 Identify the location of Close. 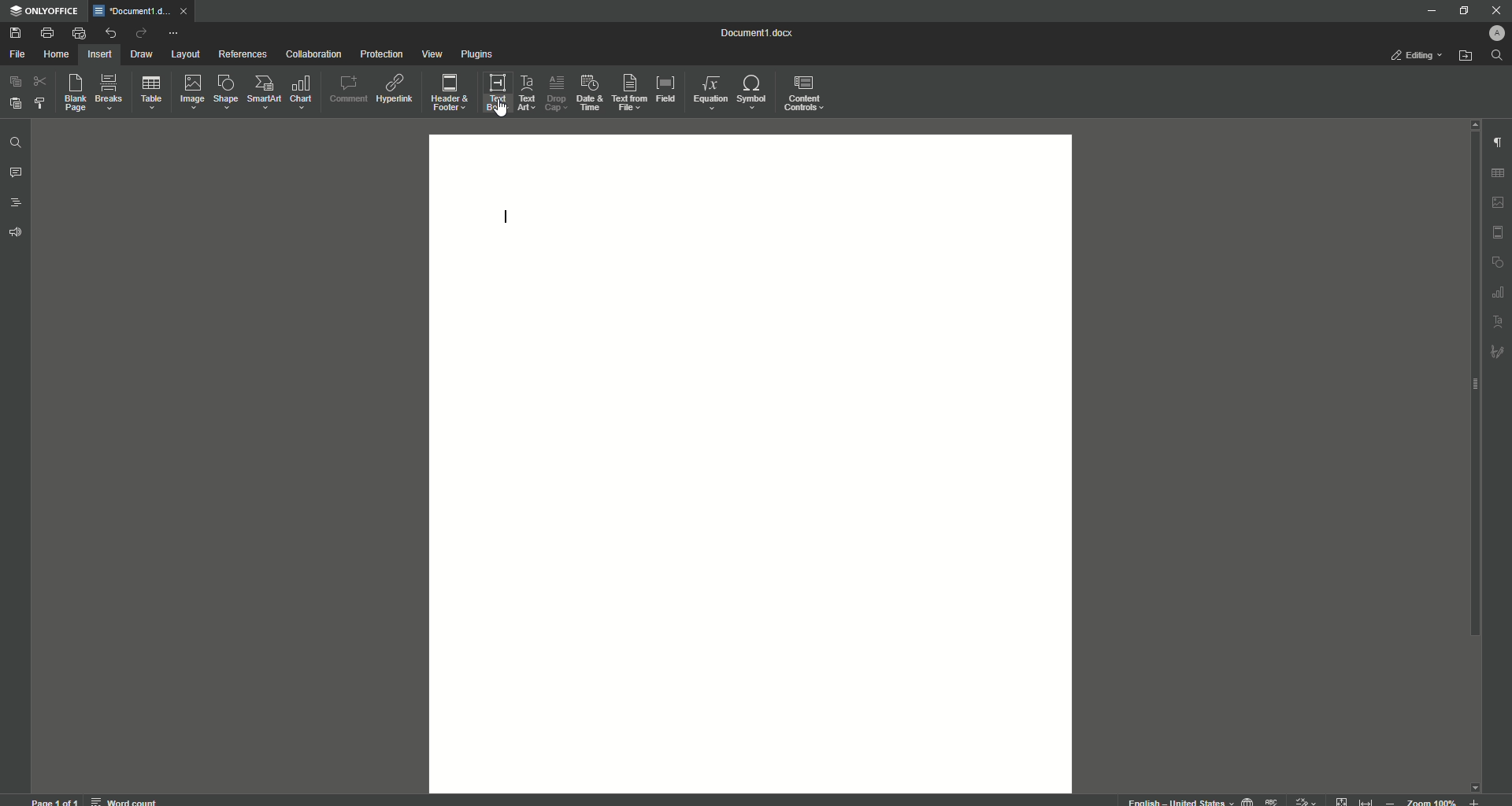
(1495, 10).